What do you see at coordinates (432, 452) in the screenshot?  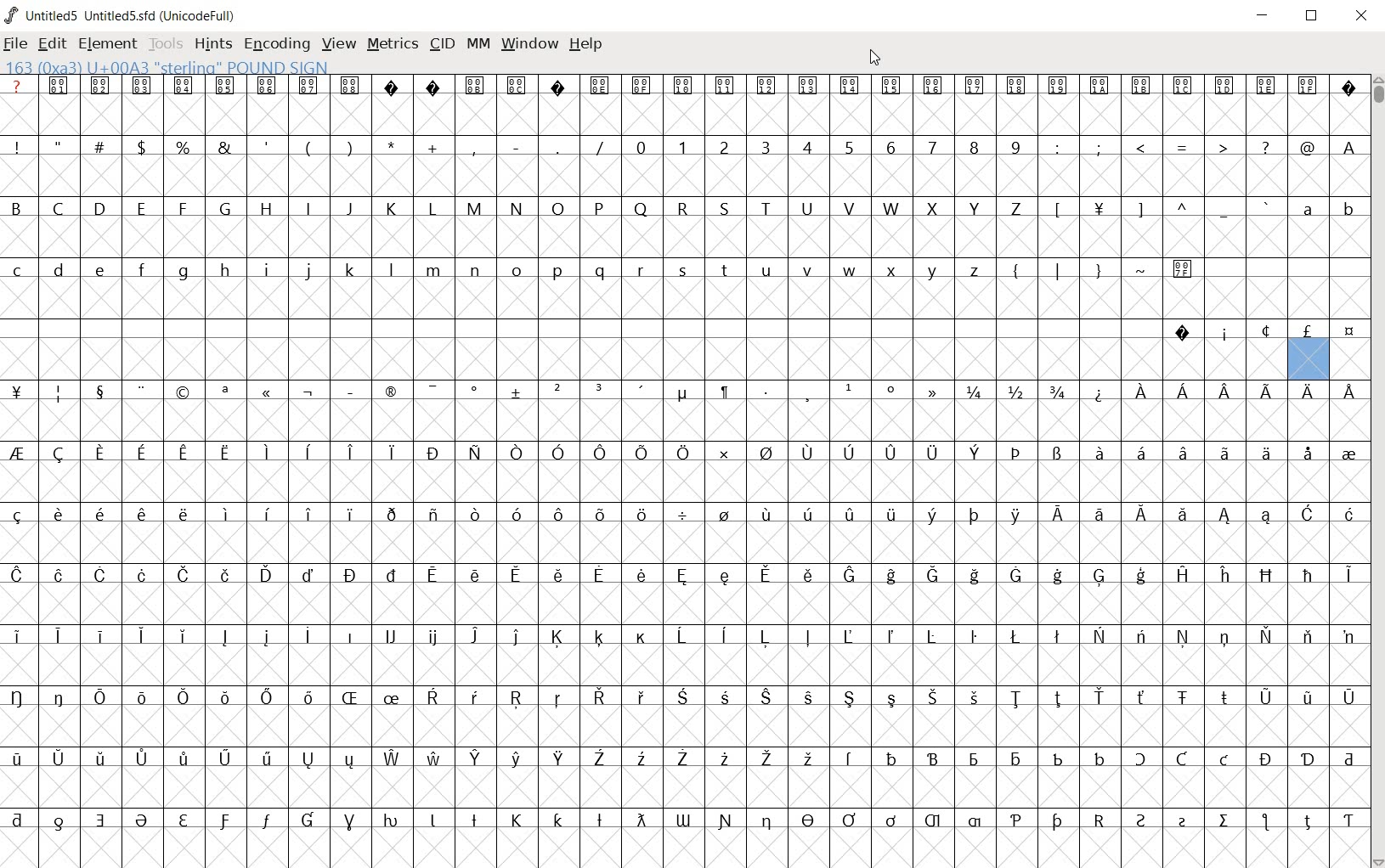 I see `Symbol` at bounding box center [432, 452].